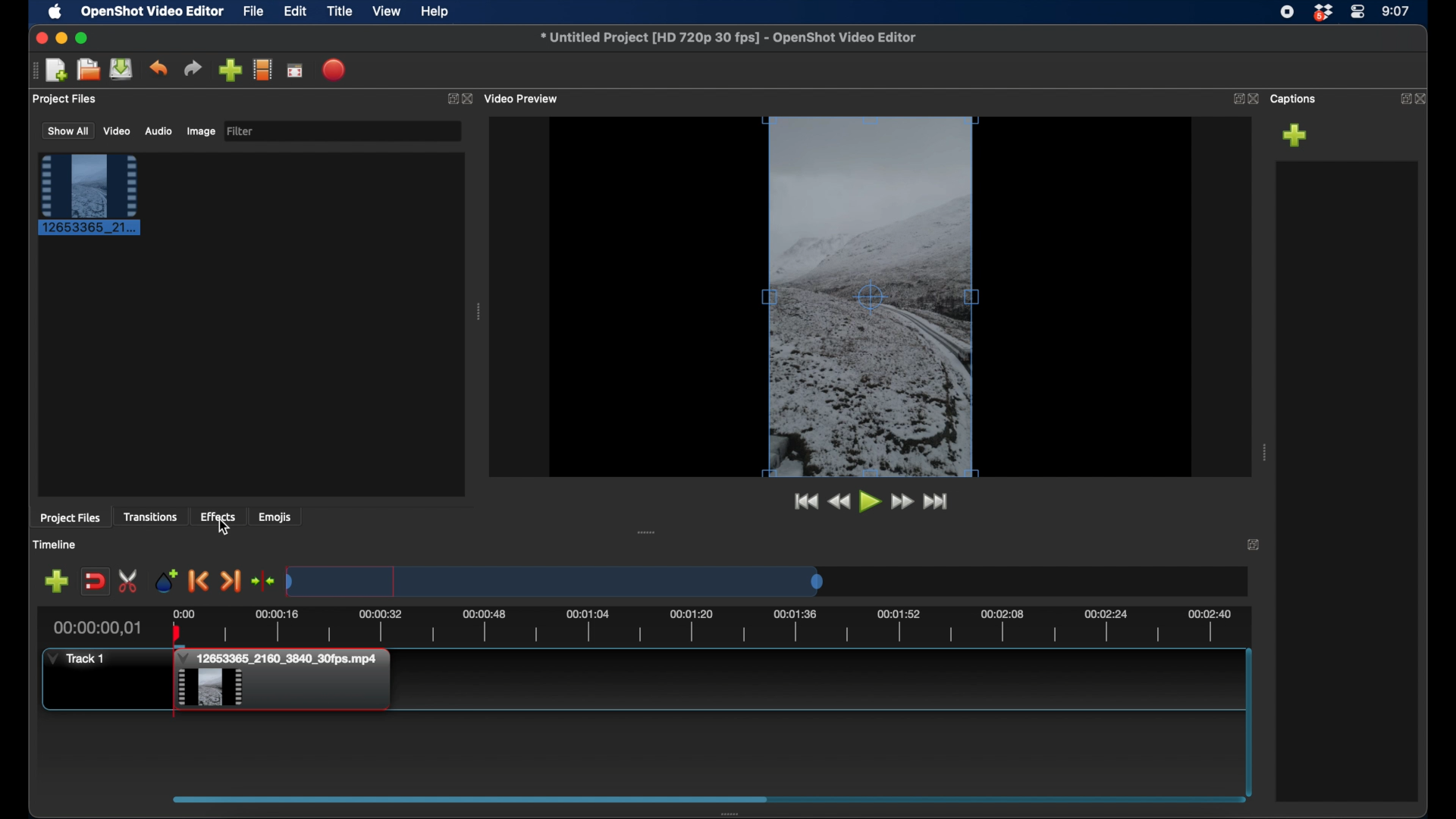  I want to click on play, so click(869, 501).